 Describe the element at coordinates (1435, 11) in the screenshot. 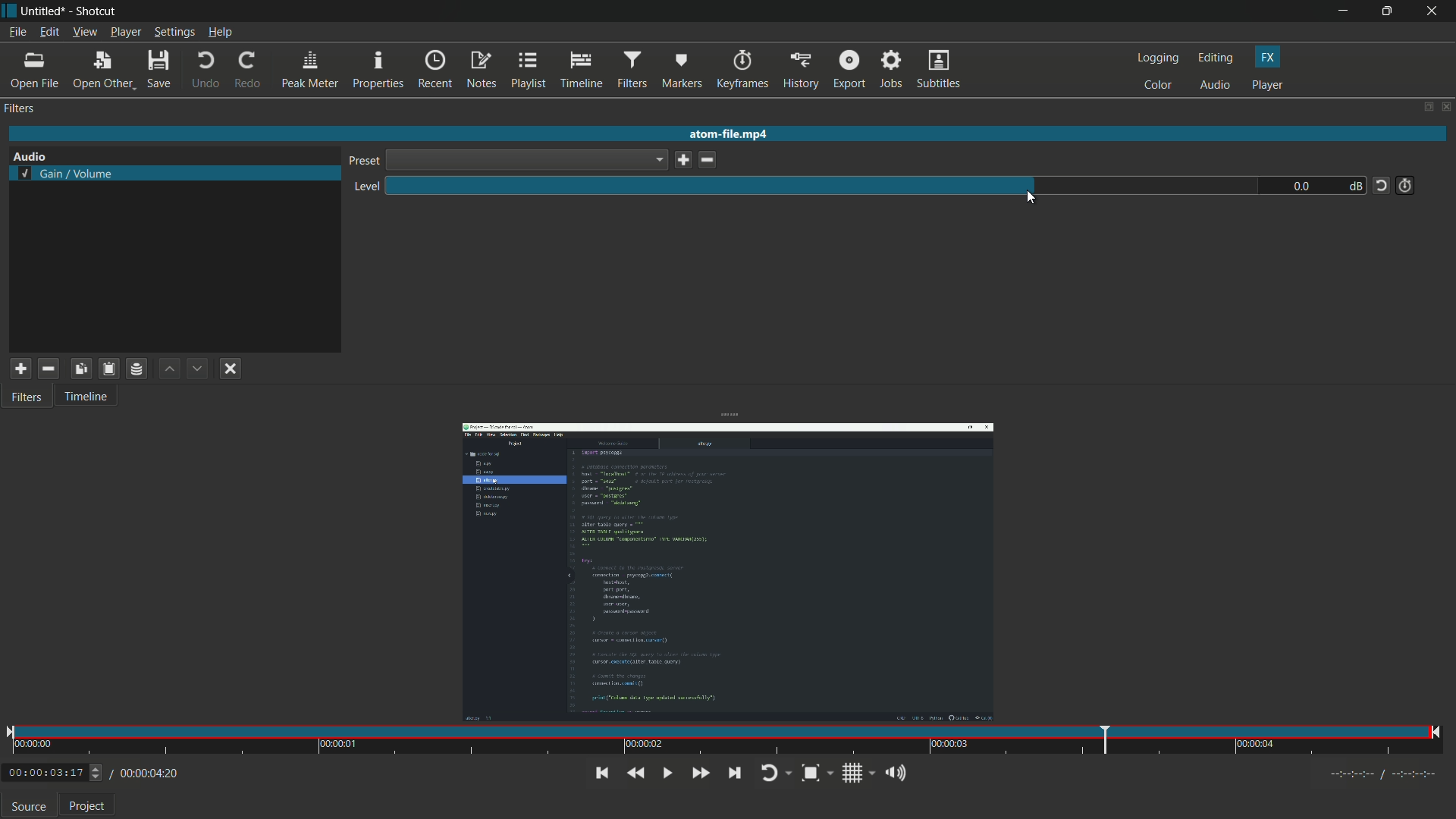

I see `close app` at that location.